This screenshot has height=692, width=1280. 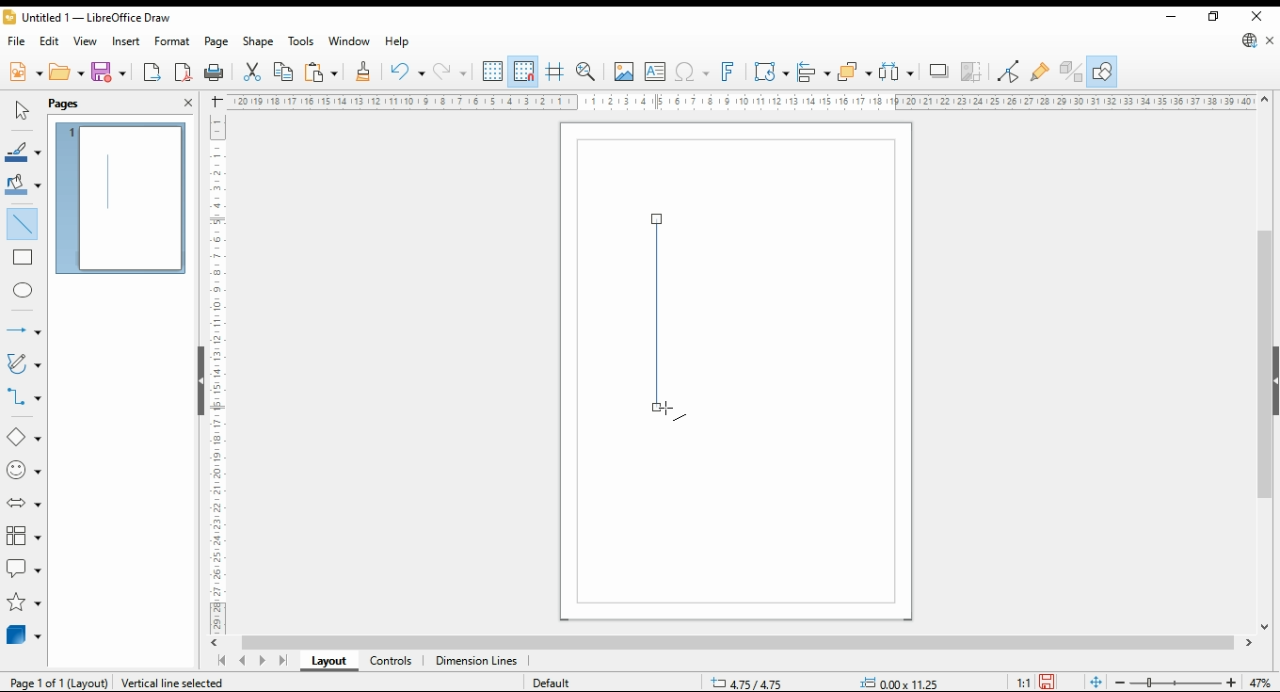 What do you see at coordinates (1265, 100) in the screenshot?
I see `move up` at bounding box center [1265, 100].